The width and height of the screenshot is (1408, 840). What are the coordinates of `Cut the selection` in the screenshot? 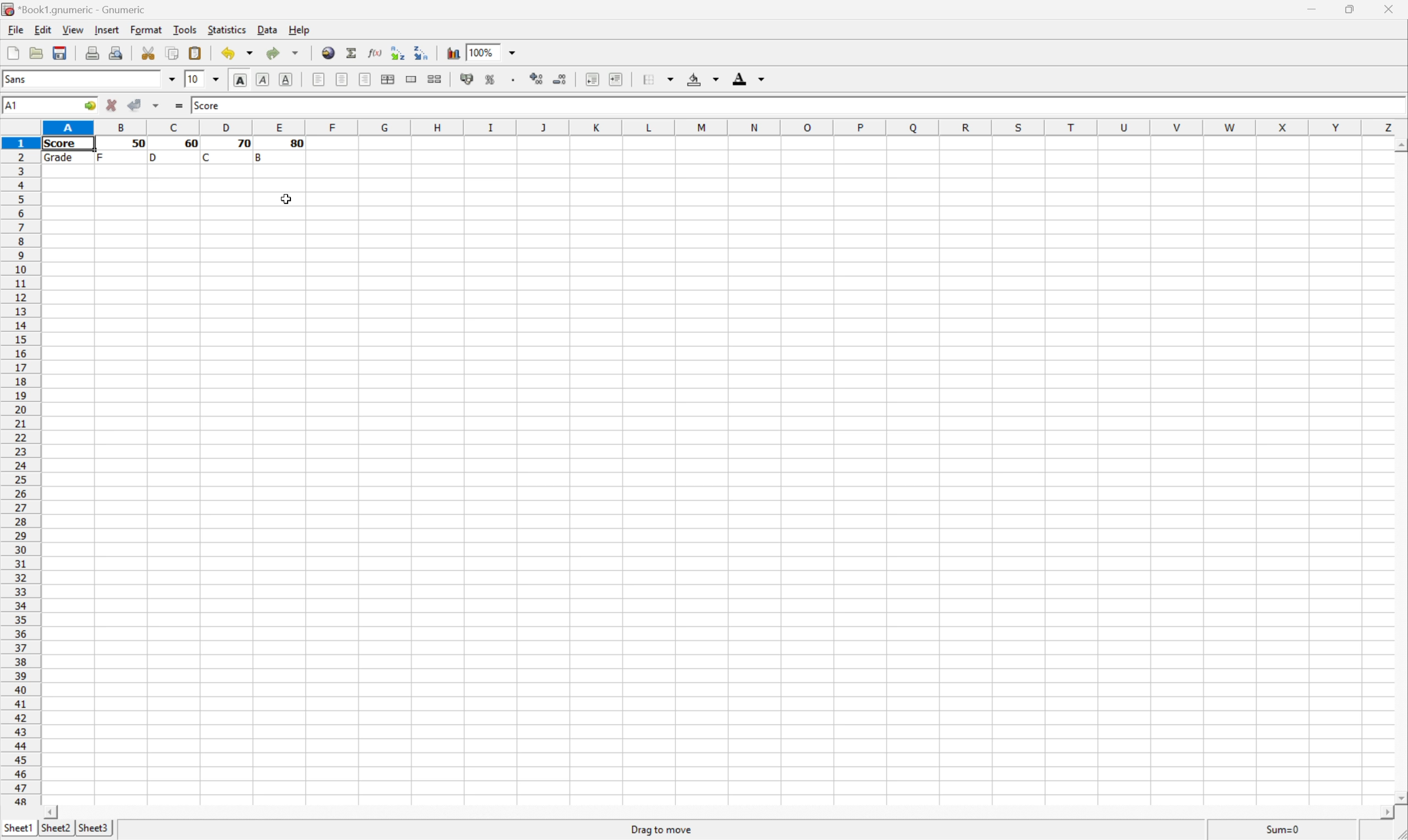 It's located at (147, 50).